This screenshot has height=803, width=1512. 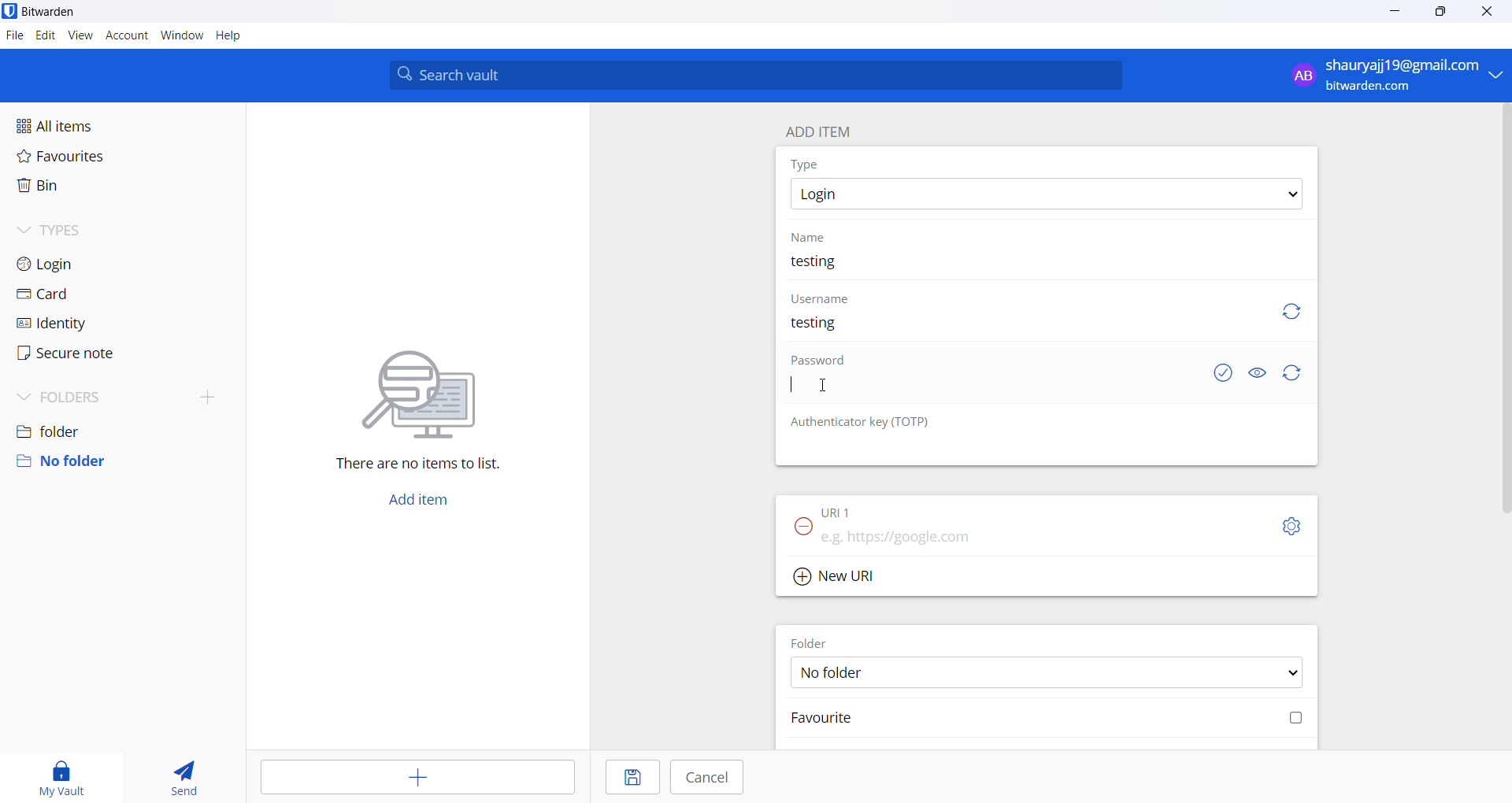 What do you see at coordinates (62, 774) in the screenshot?
I see `my vault` at bounding box center [62, 774].